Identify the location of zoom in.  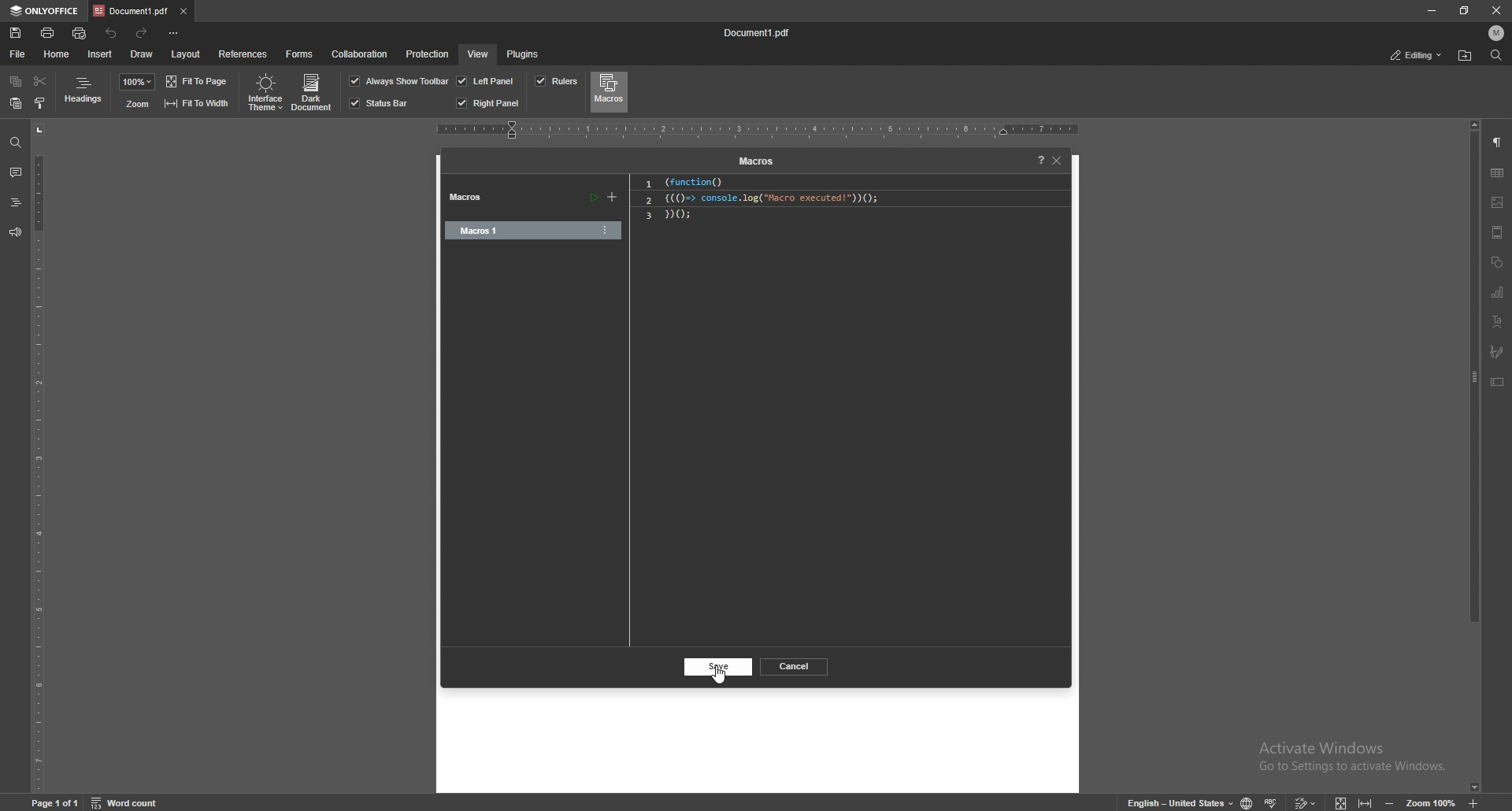
(1475, 804).